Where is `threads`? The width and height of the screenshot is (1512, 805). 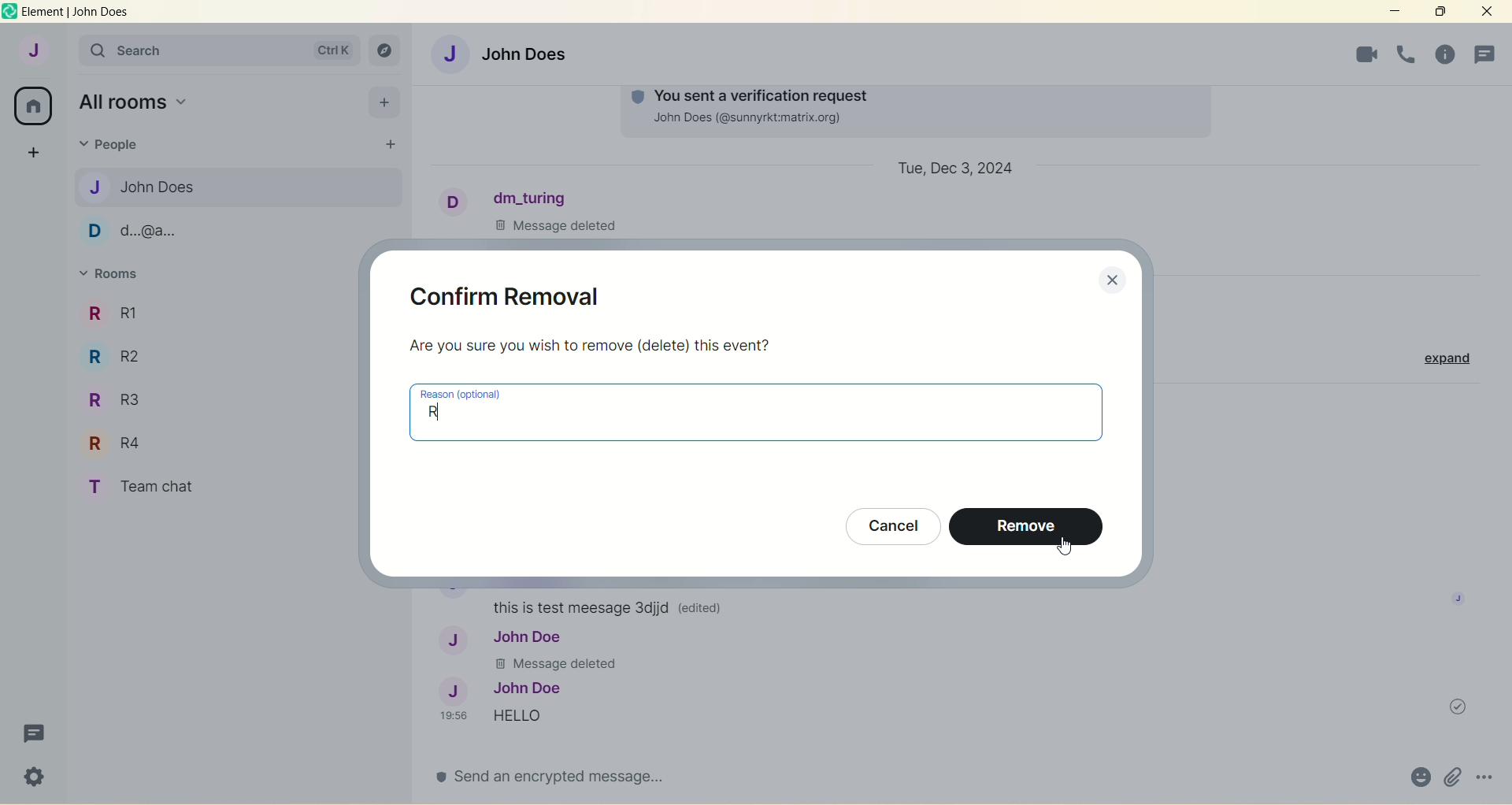 threads is located at coordinates (31, 733).